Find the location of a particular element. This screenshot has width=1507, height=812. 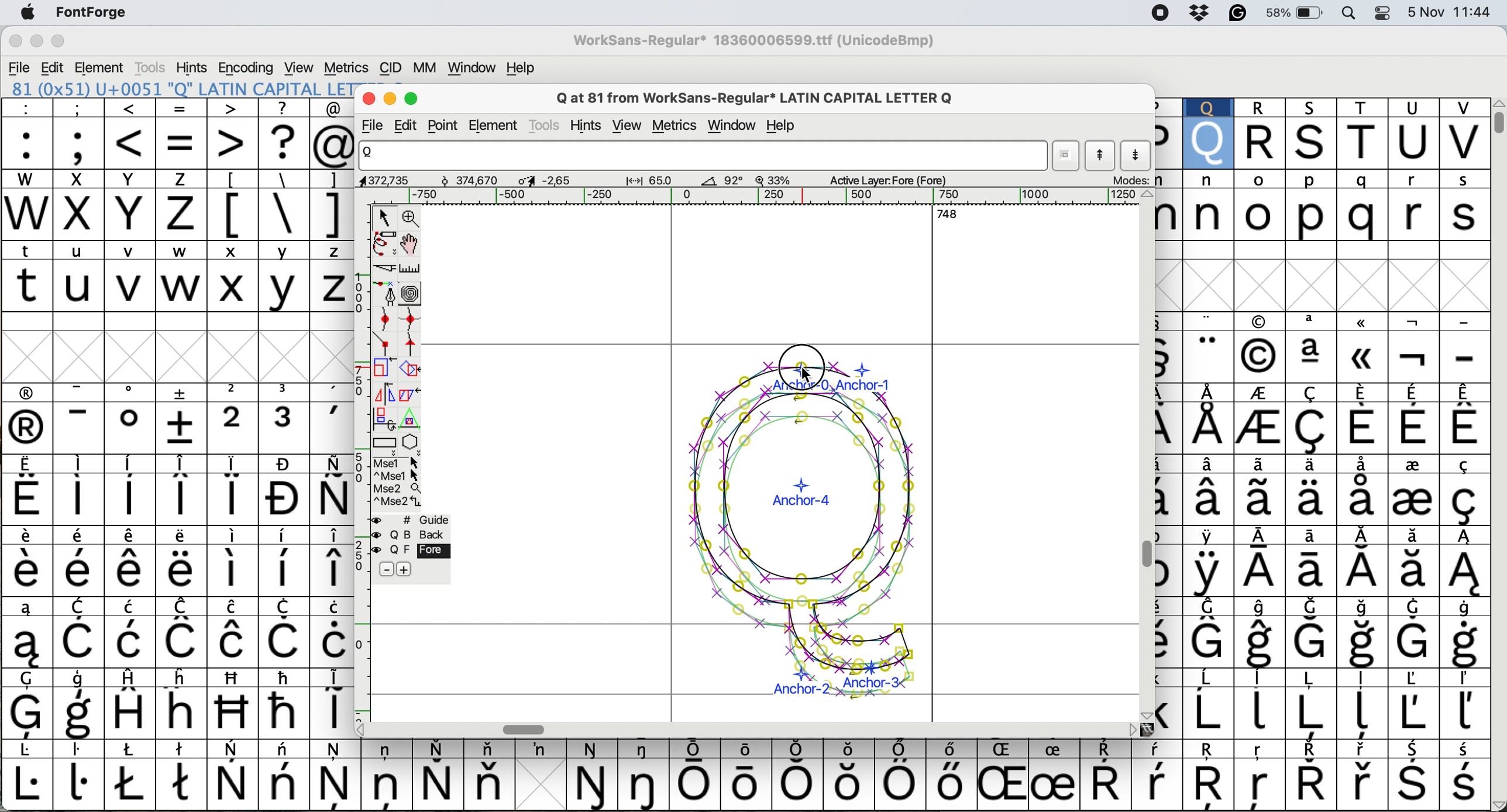

help is located at coordinates (518, 67).